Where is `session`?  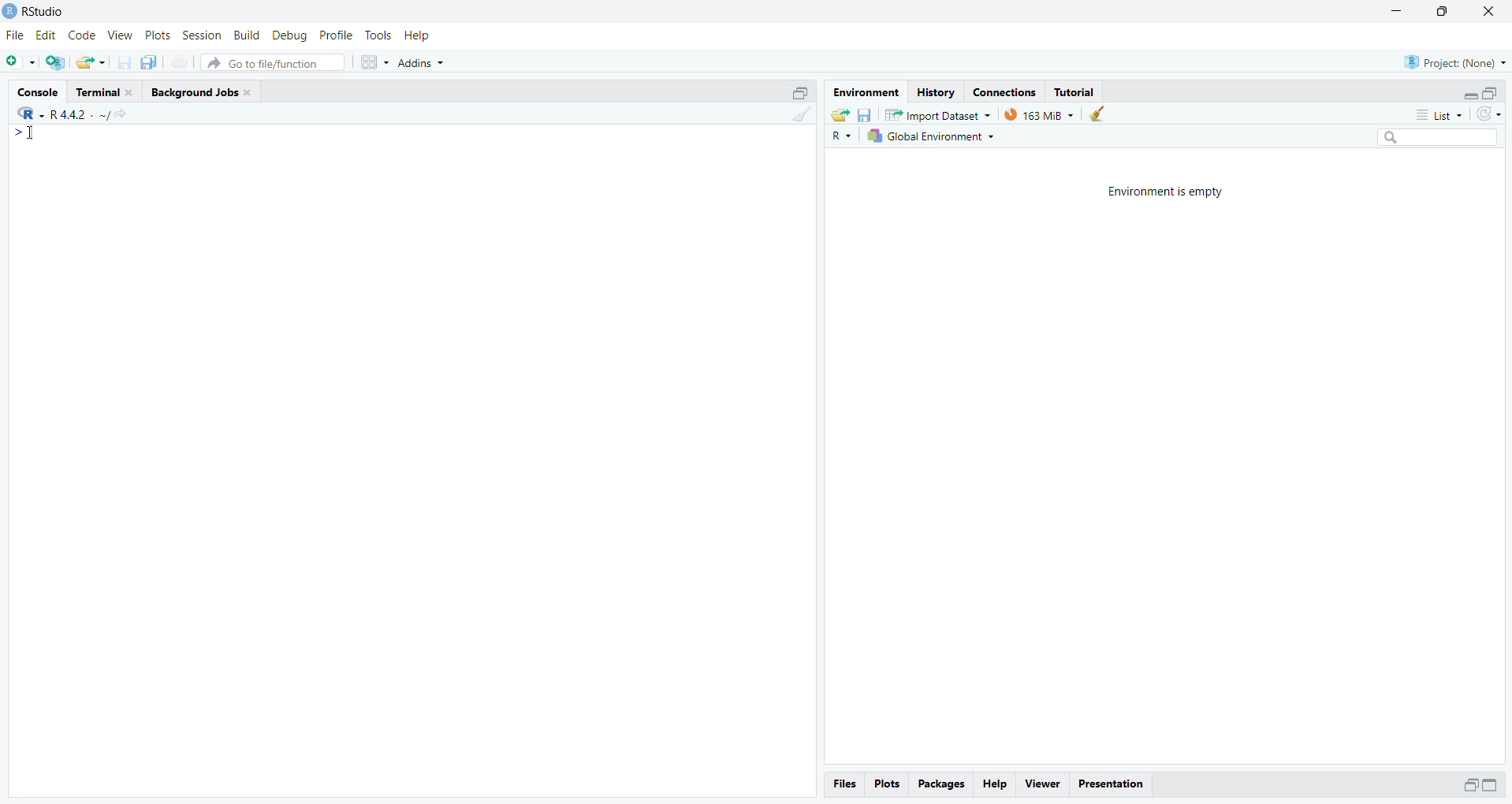
session is located at coordinates (202, 35).